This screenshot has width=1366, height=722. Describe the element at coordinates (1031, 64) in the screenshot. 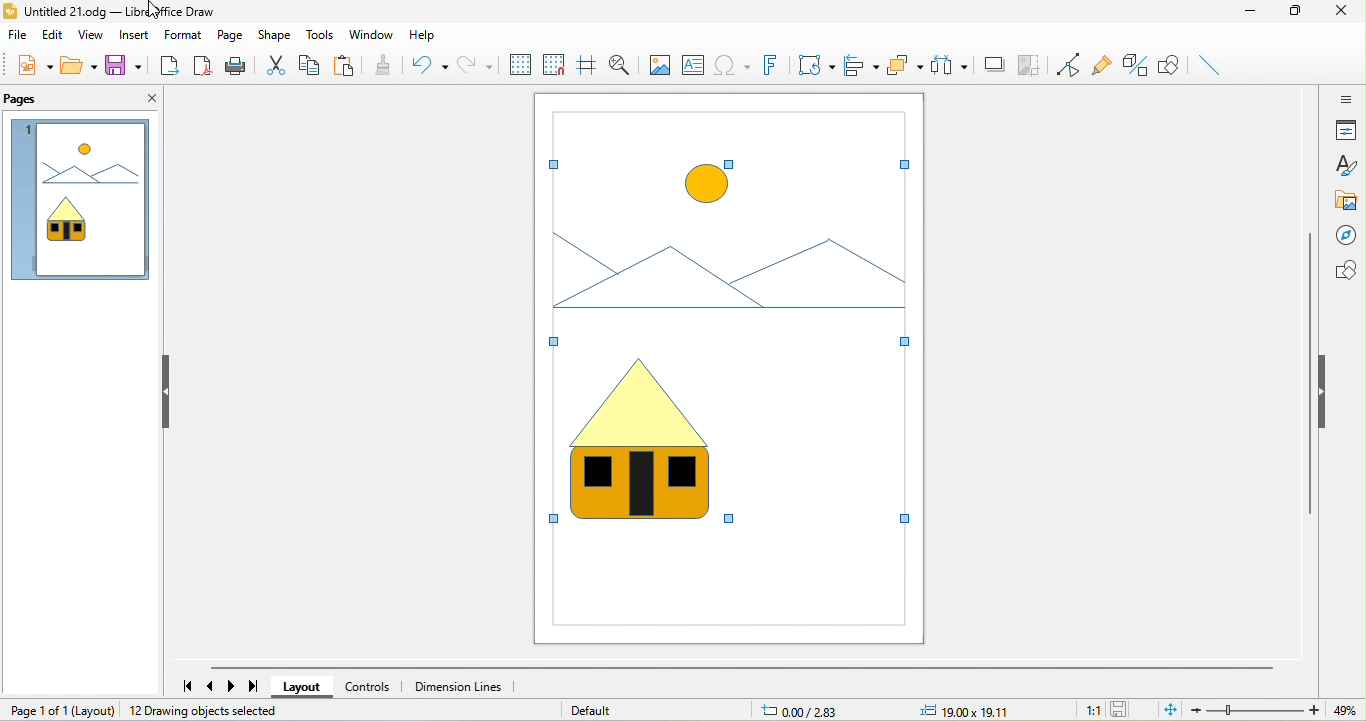

I see `crop` at that location.